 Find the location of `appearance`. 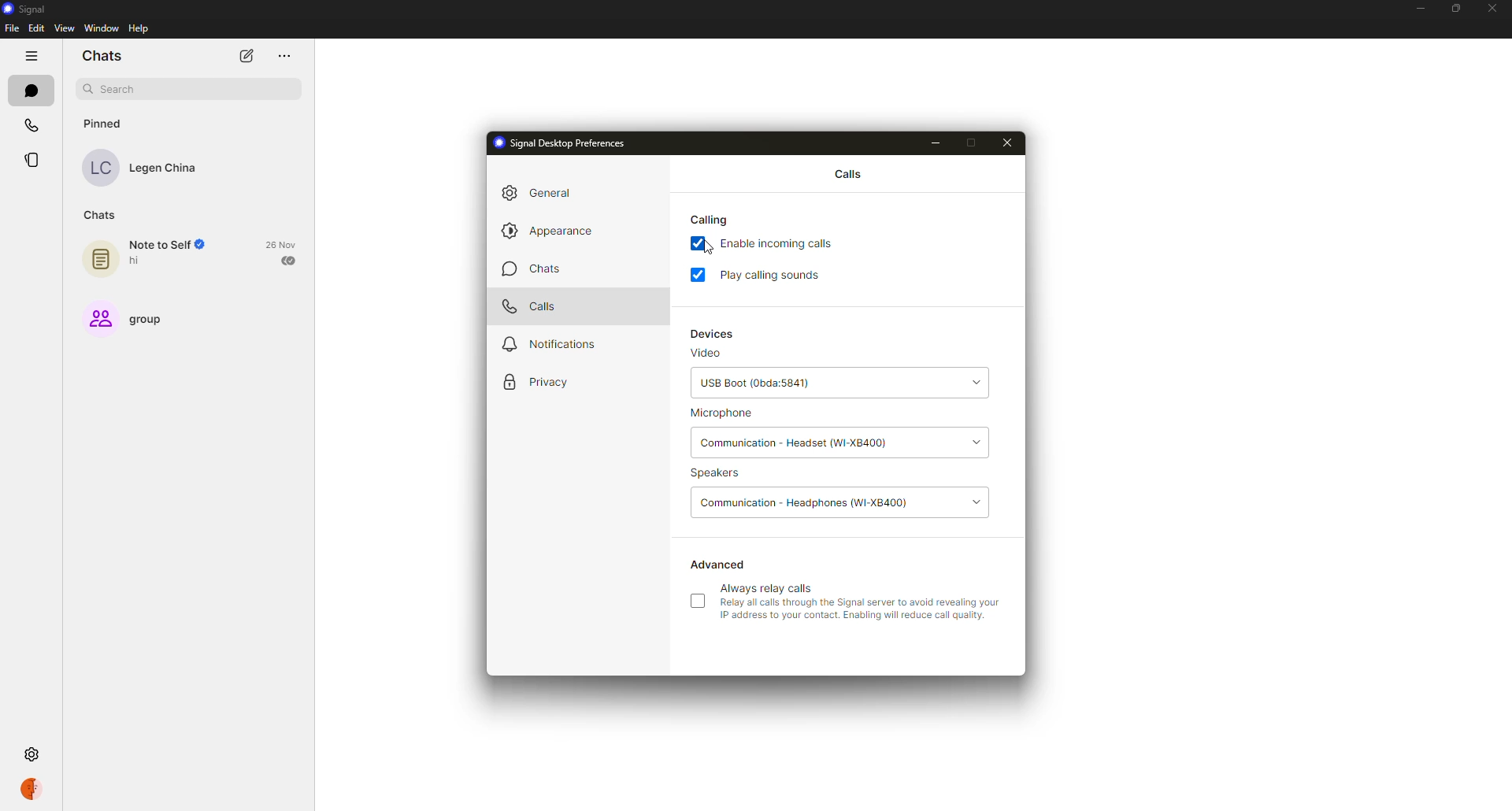

appearance is located at coordinates (554, 233).